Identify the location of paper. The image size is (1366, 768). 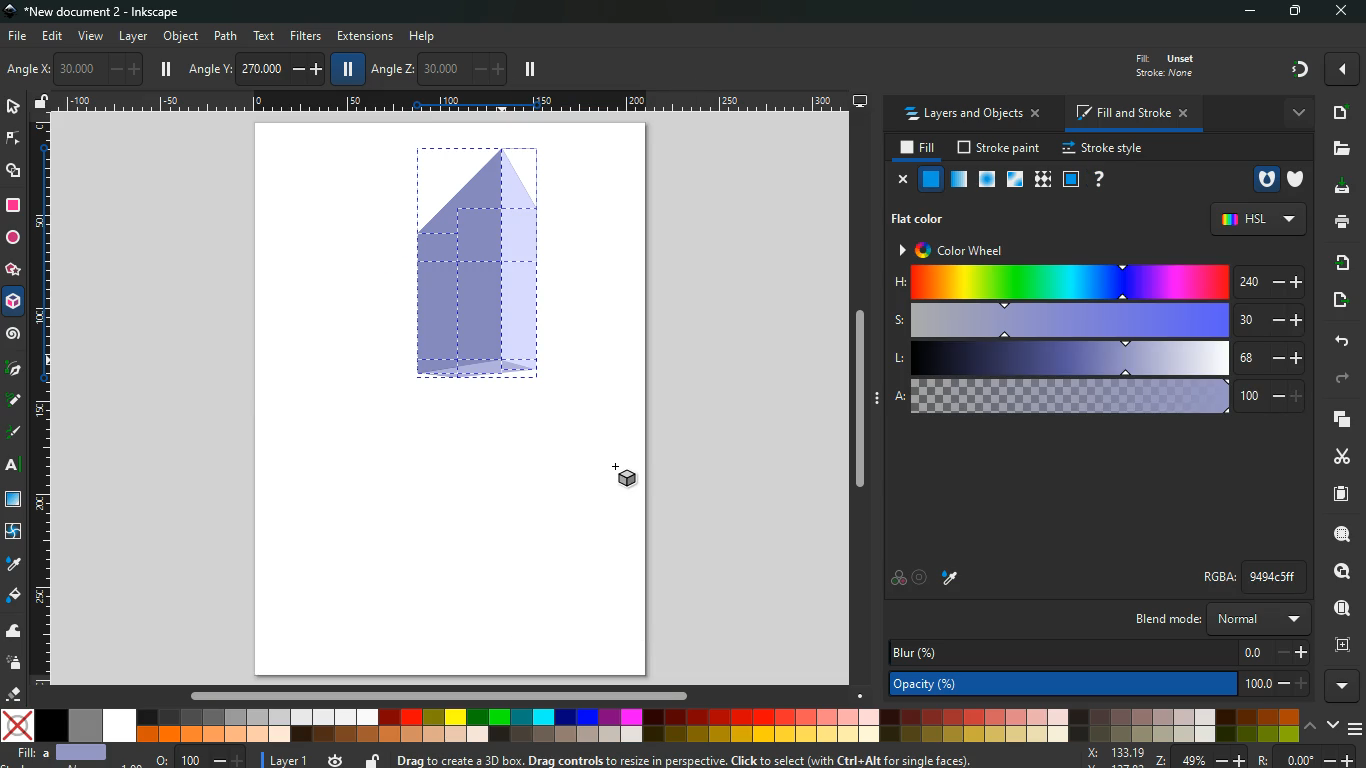
(1339, 494).